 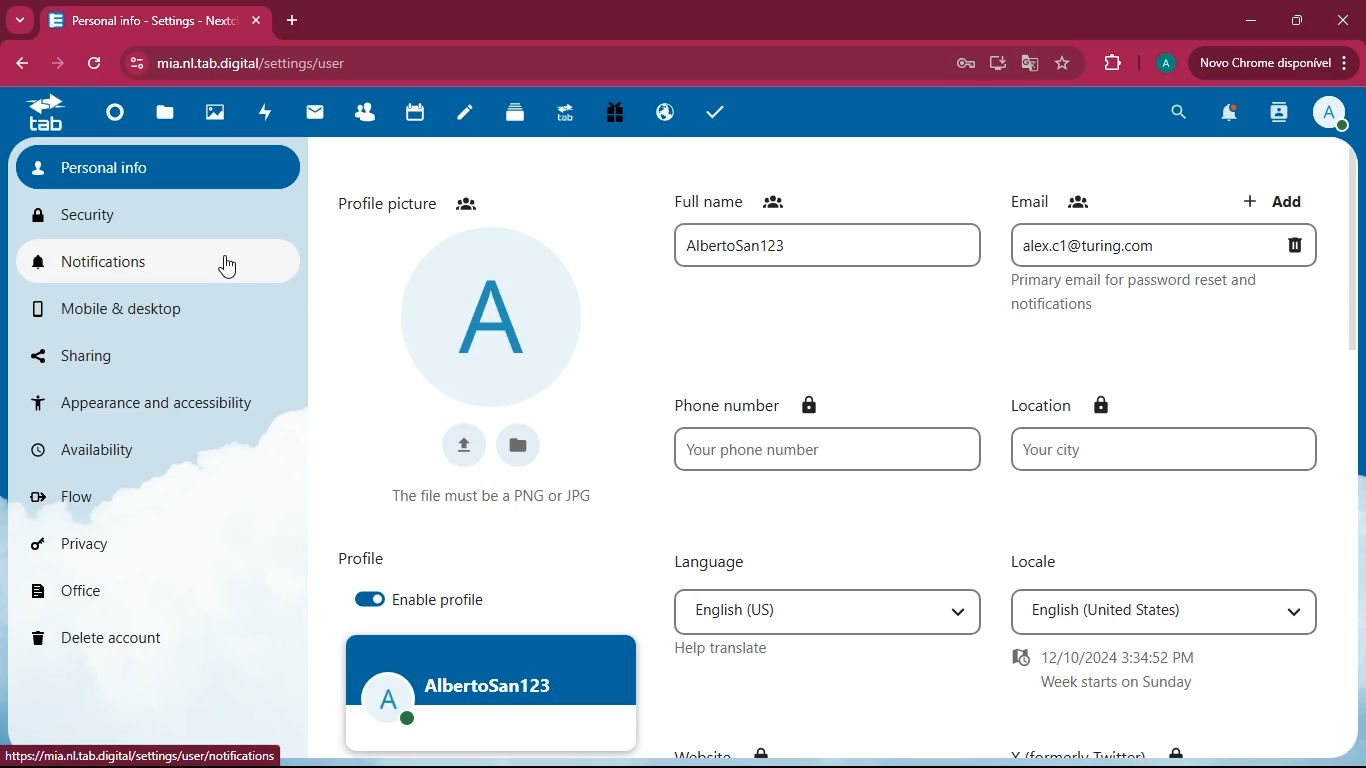 What do you see at coordinates (159, 167) in the screenshot?
I see `personal info` at bounding box center [159, 167].